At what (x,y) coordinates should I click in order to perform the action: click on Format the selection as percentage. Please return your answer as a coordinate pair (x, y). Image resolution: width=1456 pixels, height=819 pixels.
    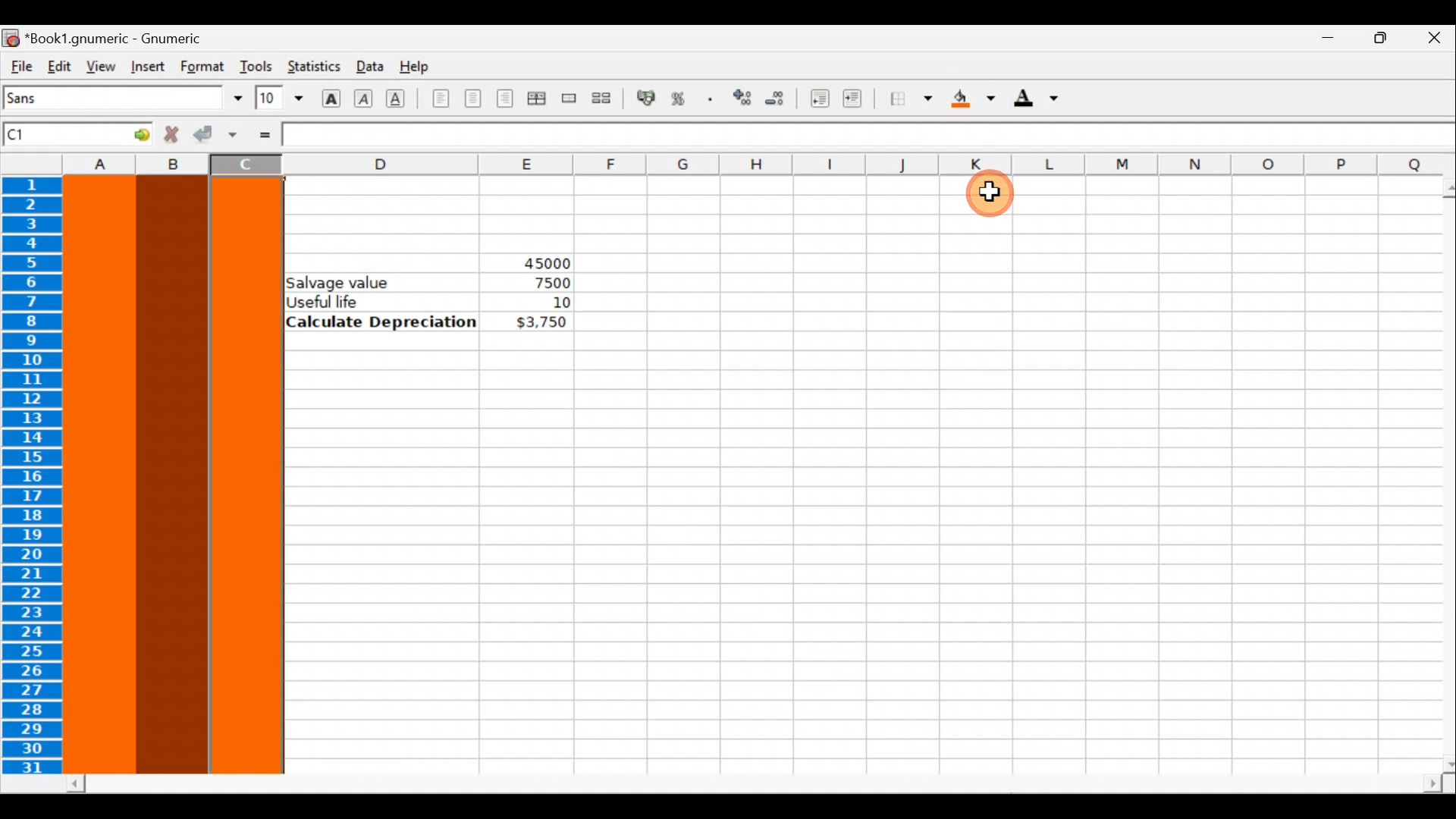
    Looking at the image, I should click on (681, 101).